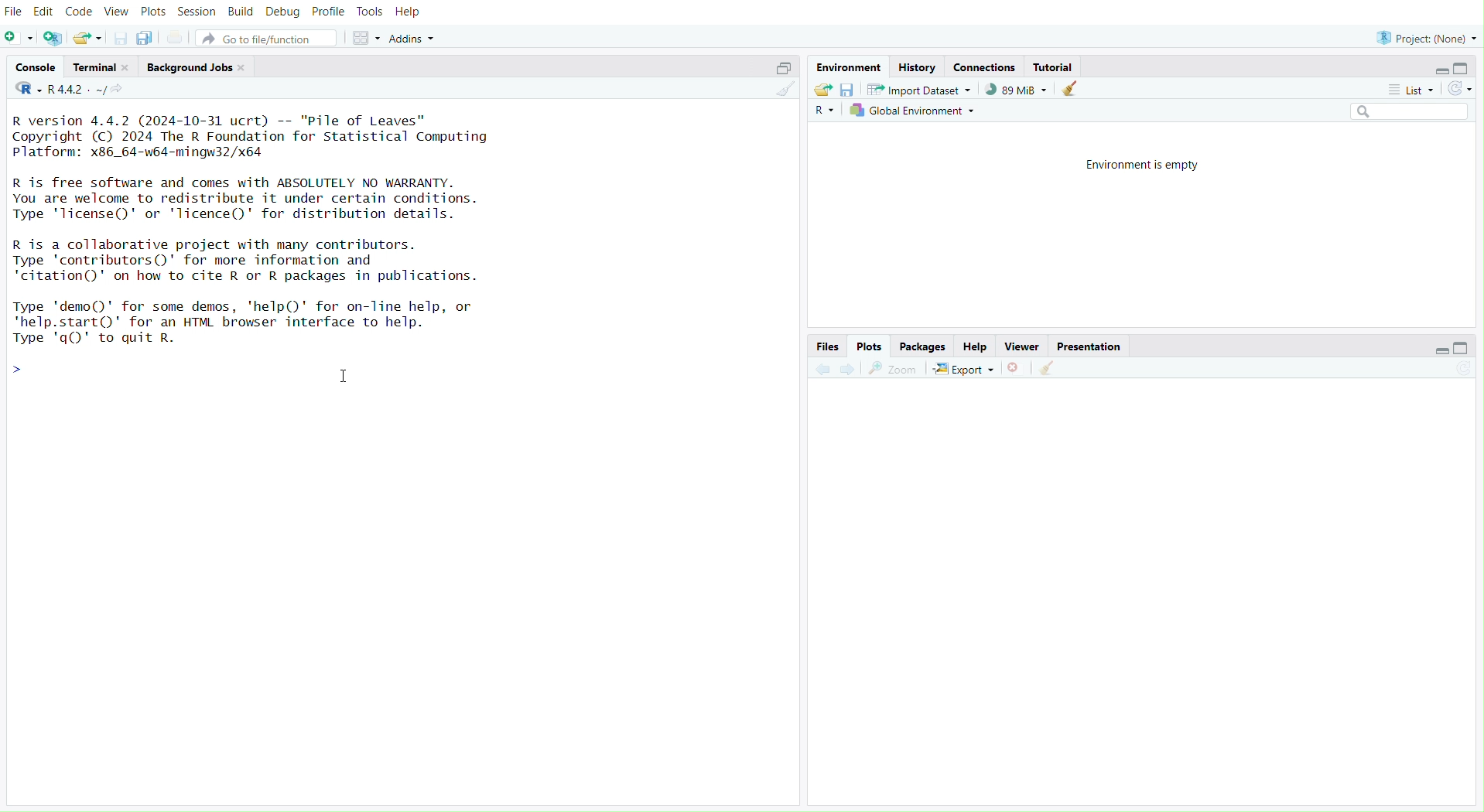 This screenshot has height=812, width=1484. What do you see at coordinates (52, 36) in the screenshot?
I see `Create a project` at bounding box center [52, 36].